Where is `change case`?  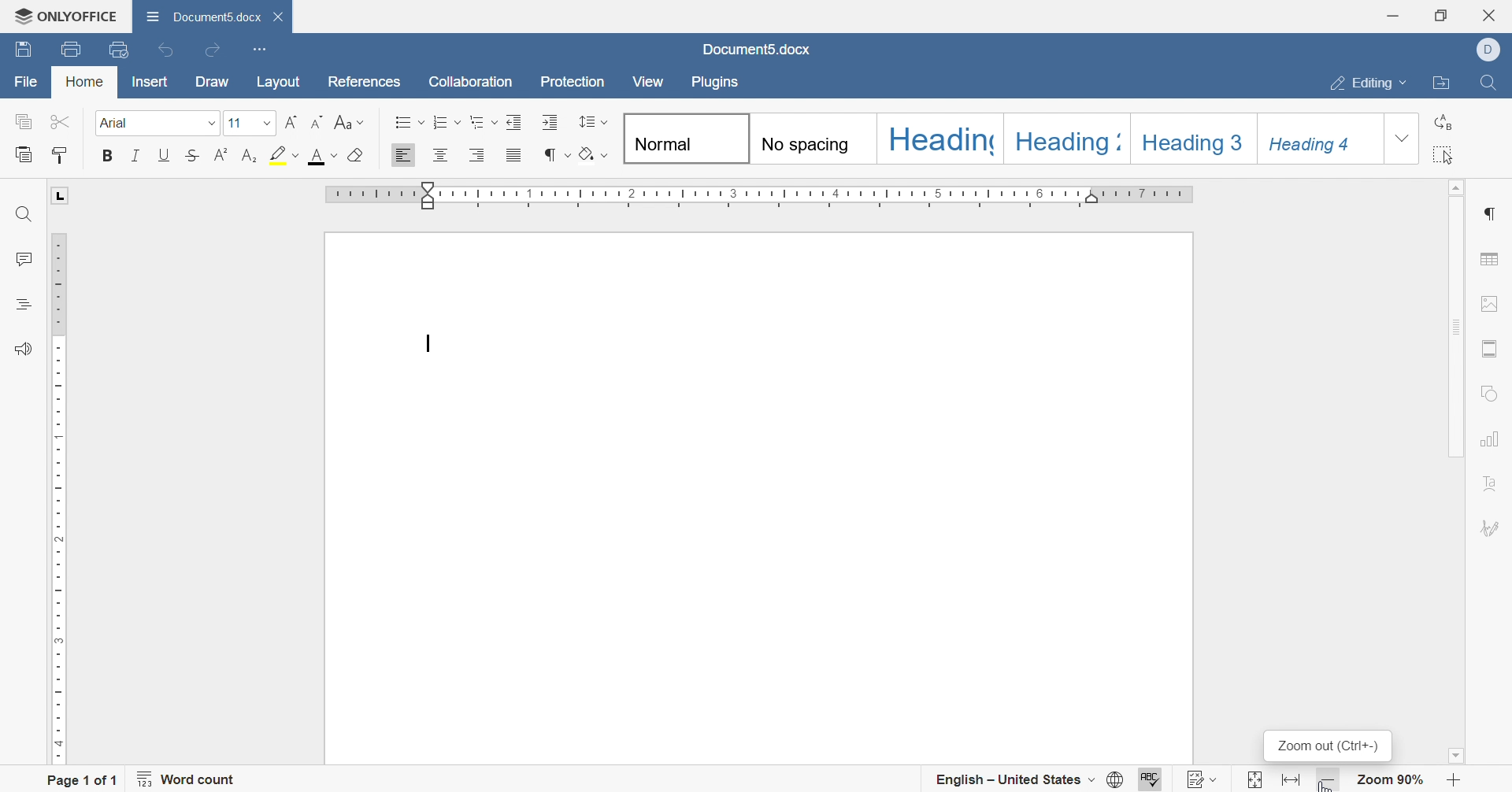
change case is located at coordinates (347, 120).